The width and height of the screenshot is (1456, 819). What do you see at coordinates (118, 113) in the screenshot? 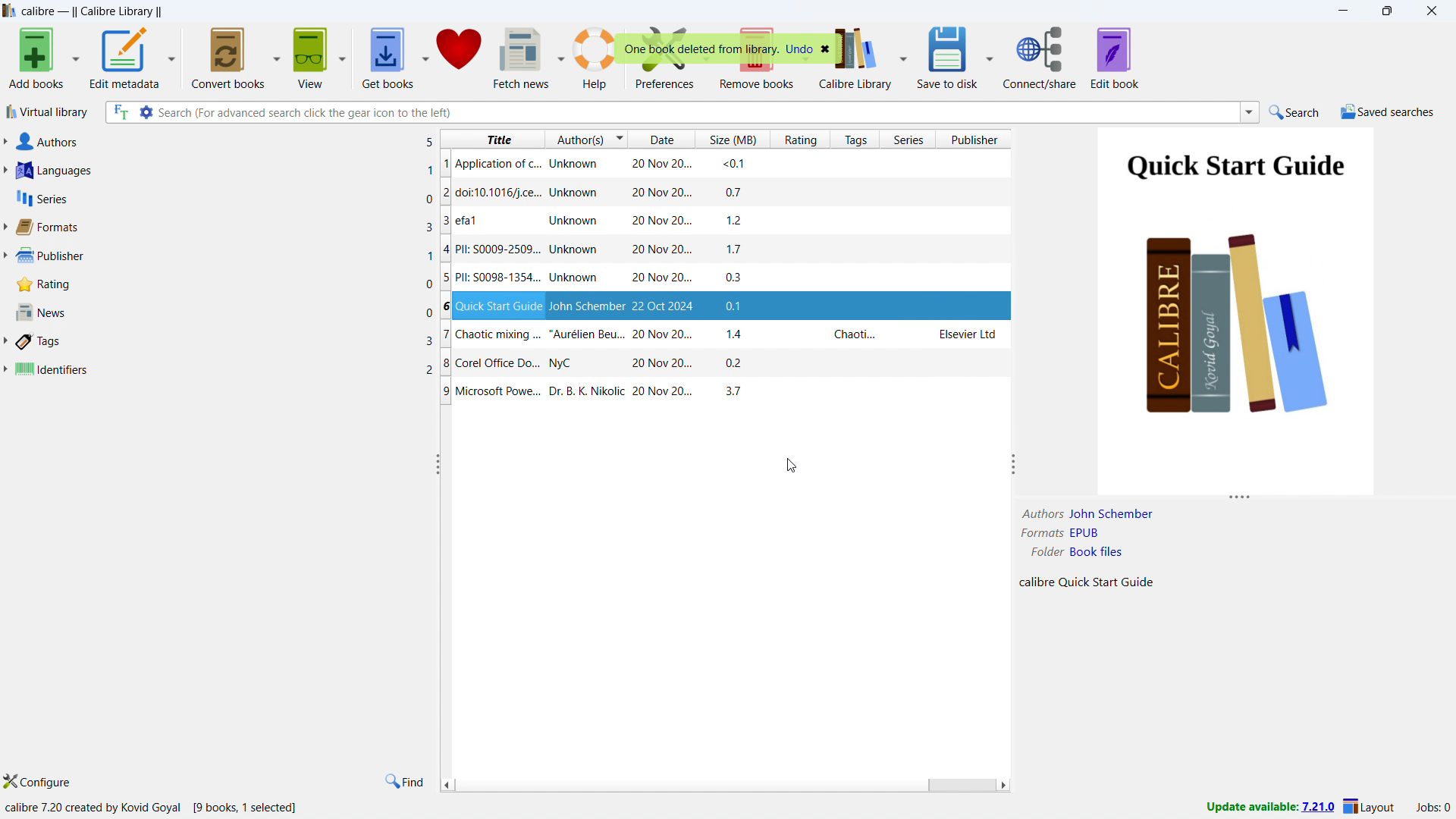
I see `serach full text` at bounding box center [118, 113].